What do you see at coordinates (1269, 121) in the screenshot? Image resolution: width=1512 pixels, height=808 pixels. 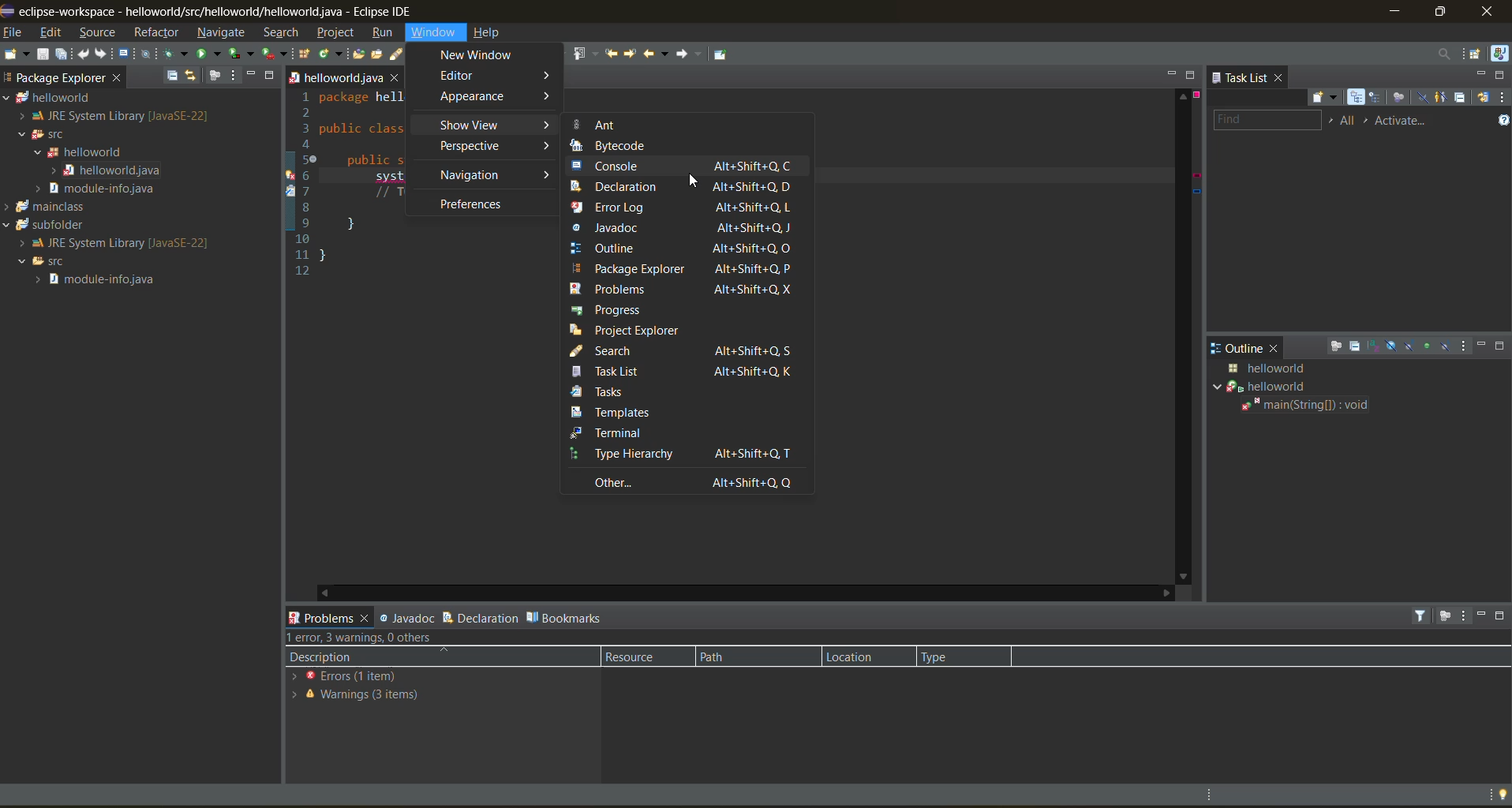 I see `find` at bounding box center [1269, 121].